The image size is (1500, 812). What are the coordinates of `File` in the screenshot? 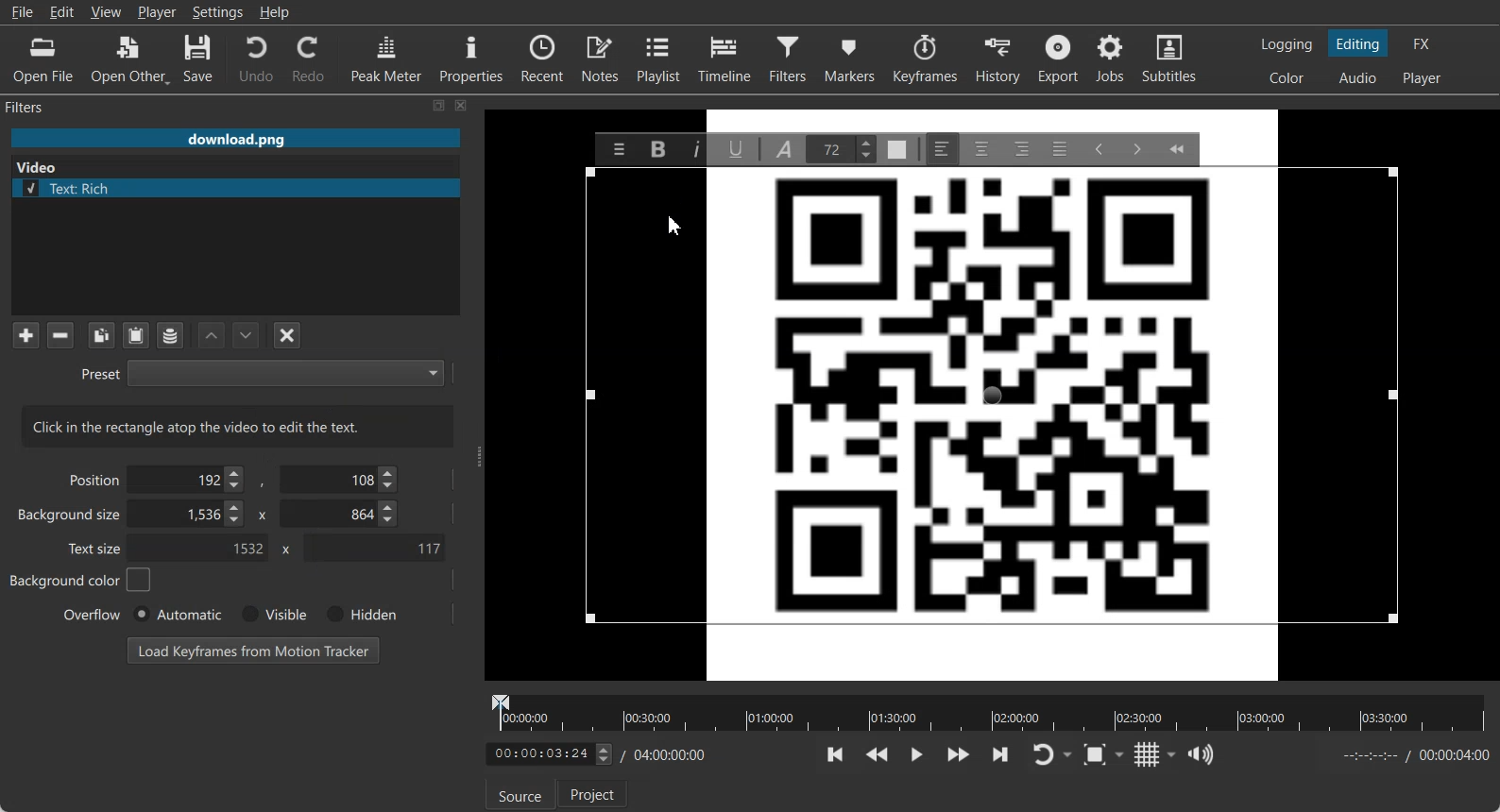 It's located at (22, 12).